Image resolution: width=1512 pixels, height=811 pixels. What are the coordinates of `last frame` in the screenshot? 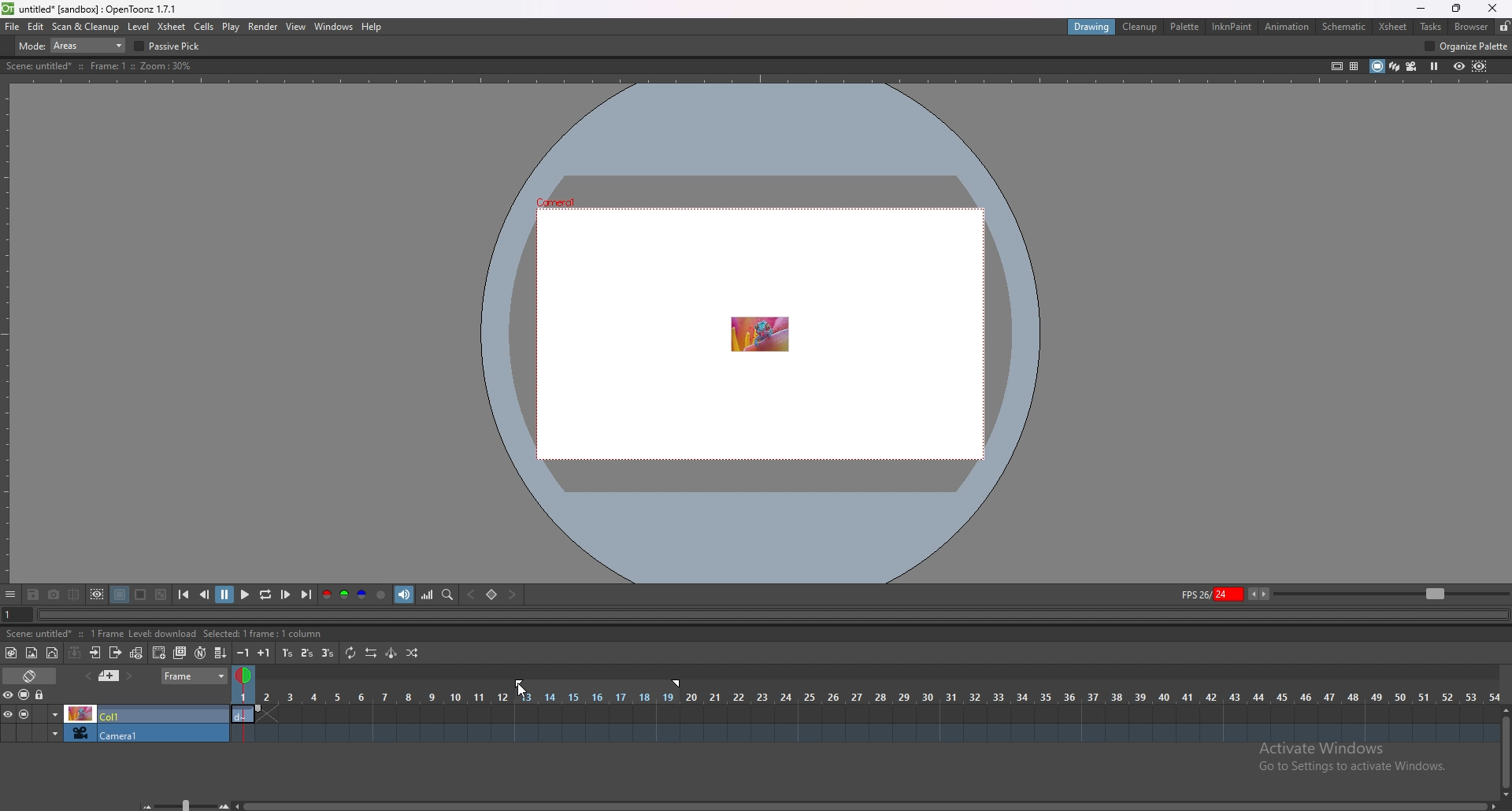 It's located at (306, 594).